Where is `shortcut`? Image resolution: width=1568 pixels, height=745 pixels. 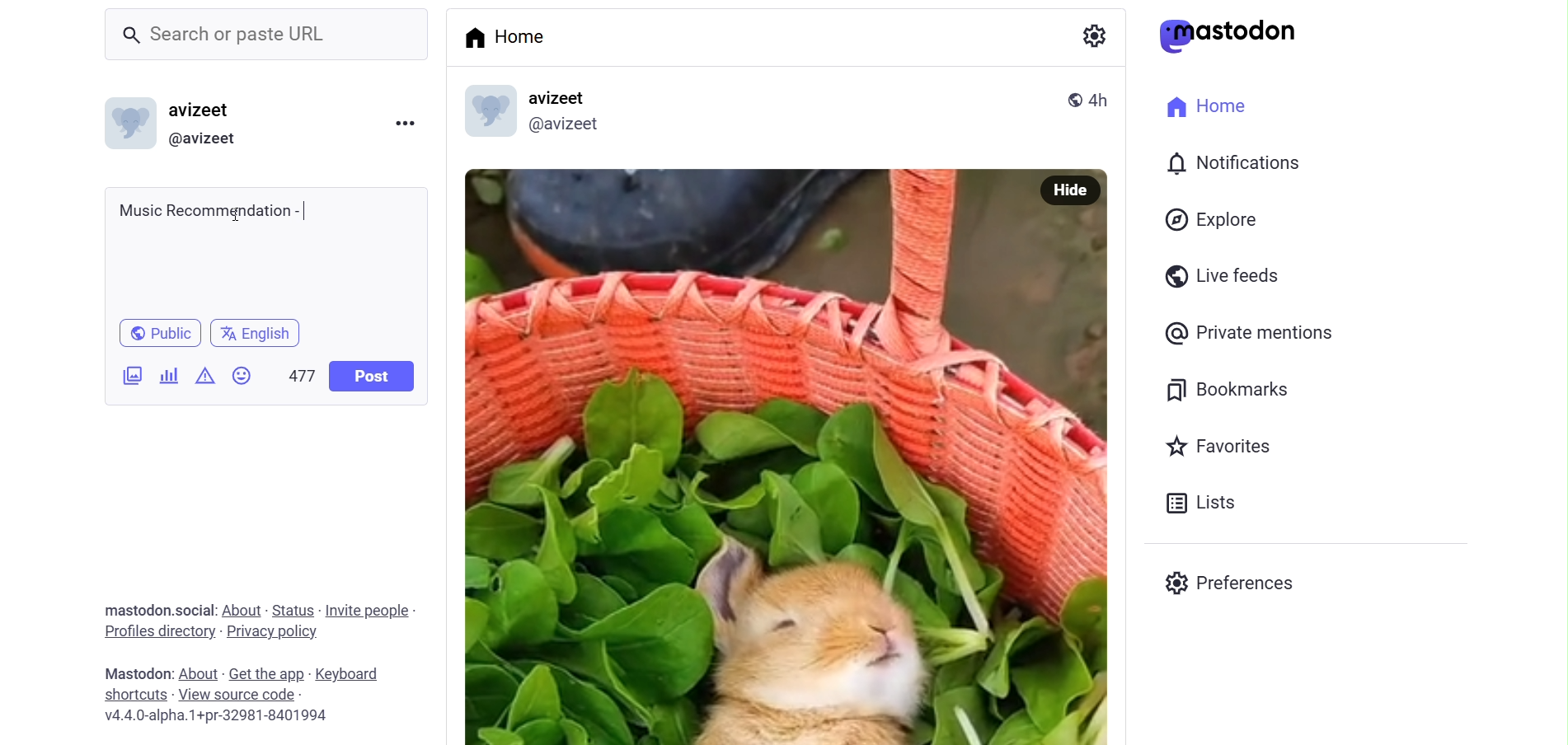 shortcut is located at coordinates (134, 692).